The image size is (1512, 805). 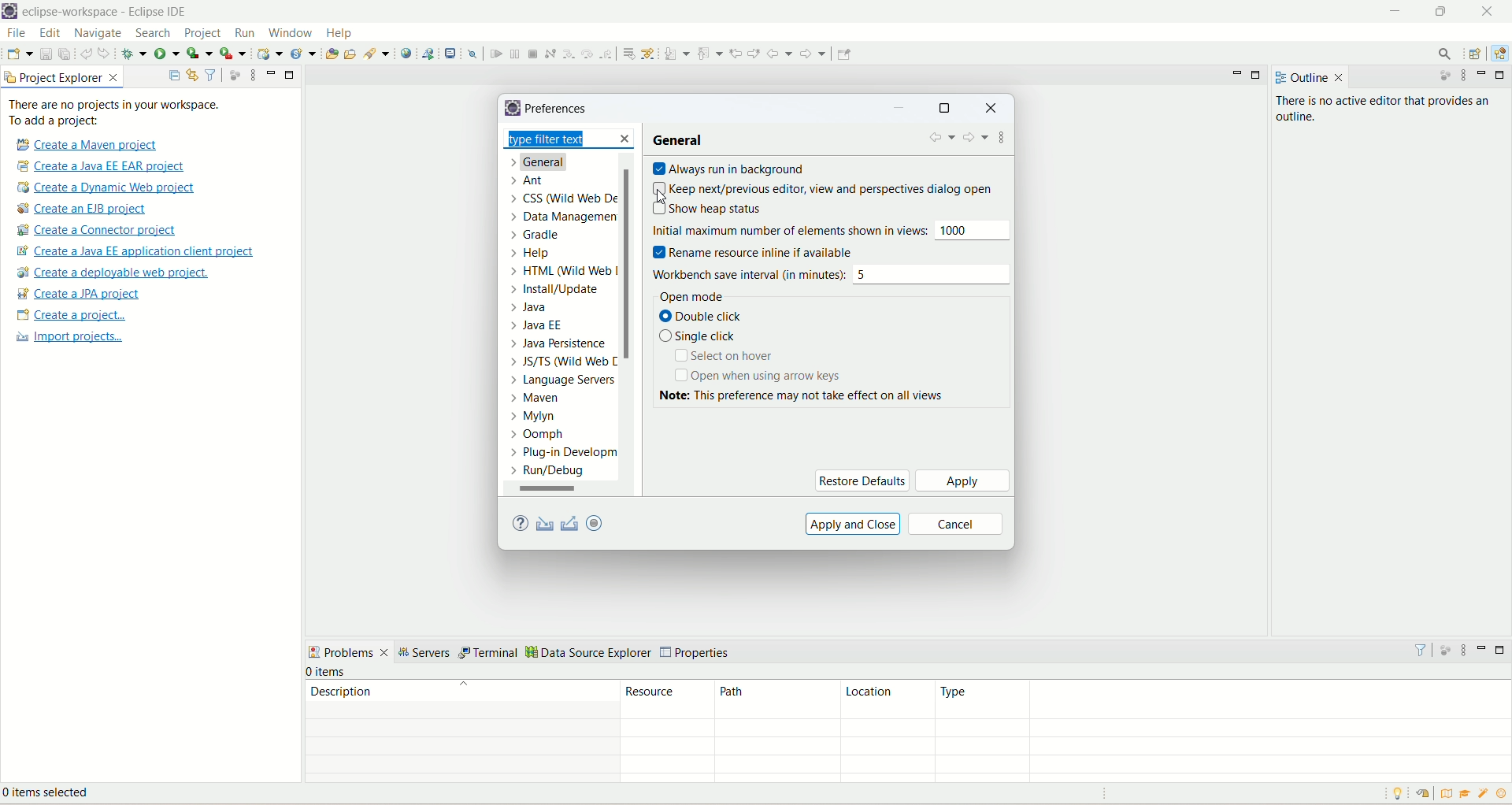 What do you see at coordinates (844, 54) in the screenshot?
I see `pin editor` at bounding box center [844, 54].